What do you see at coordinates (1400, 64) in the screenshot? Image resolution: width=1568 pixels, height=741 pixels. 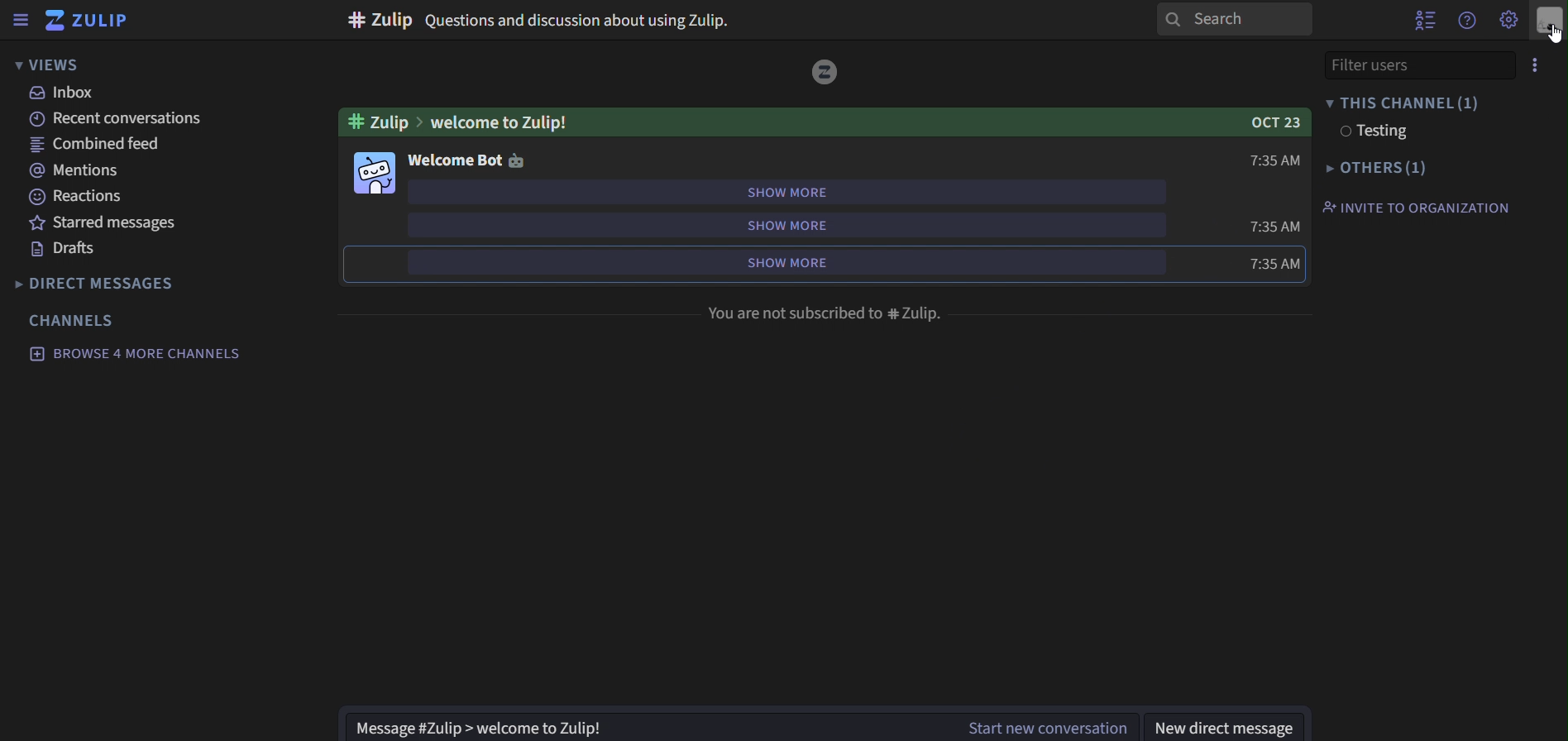 I see `filter users` at bounding box center [1400, 64].